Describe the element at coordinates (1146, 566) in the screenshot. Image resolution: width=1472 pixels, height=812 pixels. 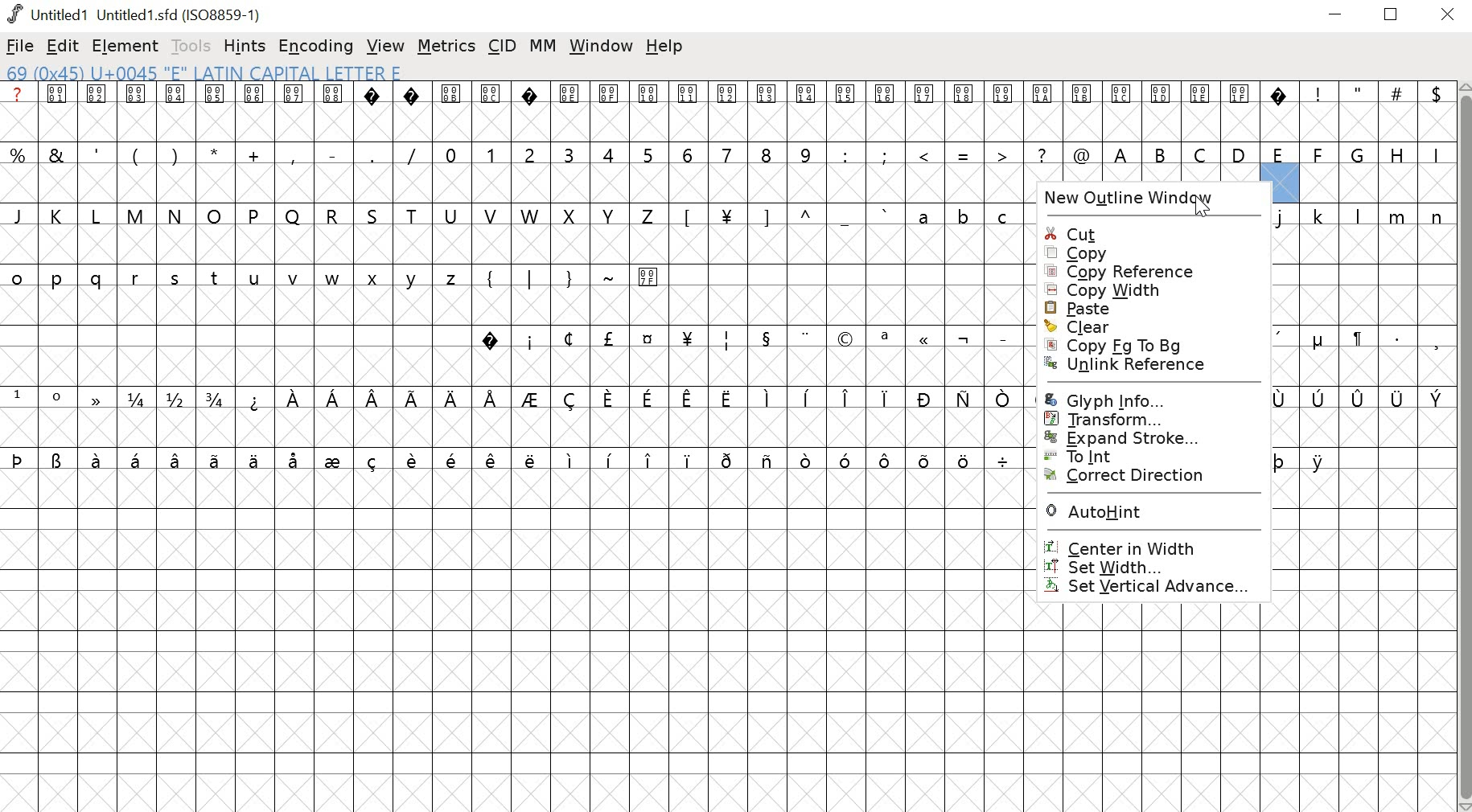
I see `SET WIDTH` at that location.